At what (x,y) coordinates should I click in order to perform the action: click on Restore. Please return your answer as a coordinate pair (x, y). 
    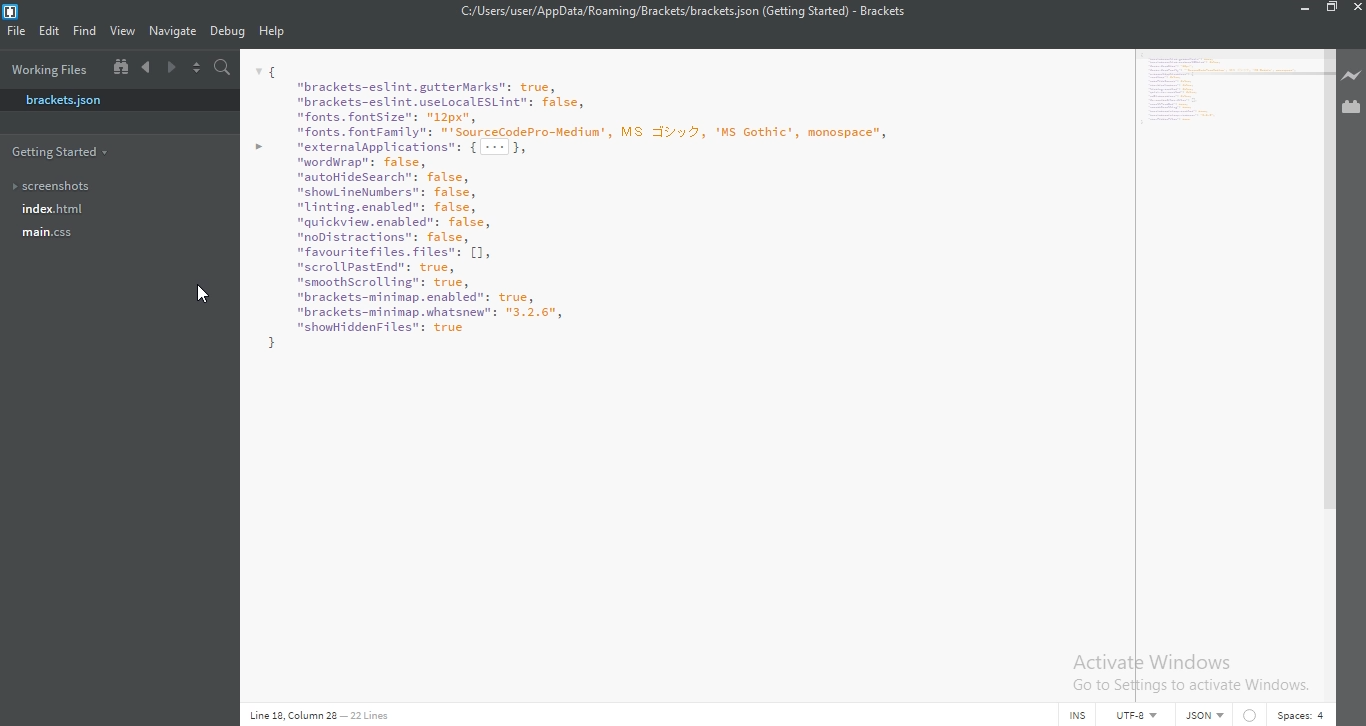
    Looking at the image, I should click on (1330, 8).